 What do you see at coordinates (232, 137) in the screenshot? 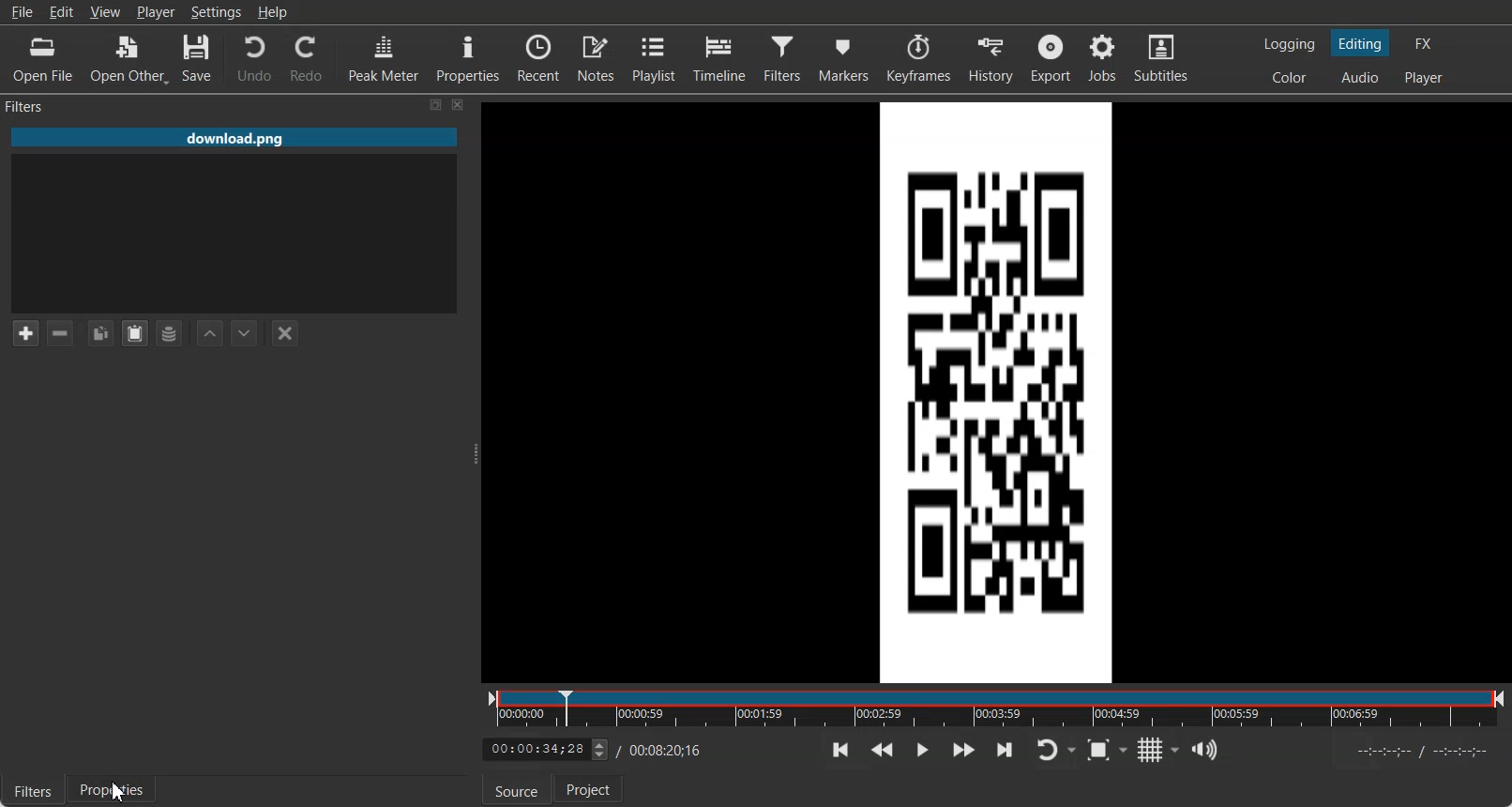
I see `File name` at bounding box center [232, 137].